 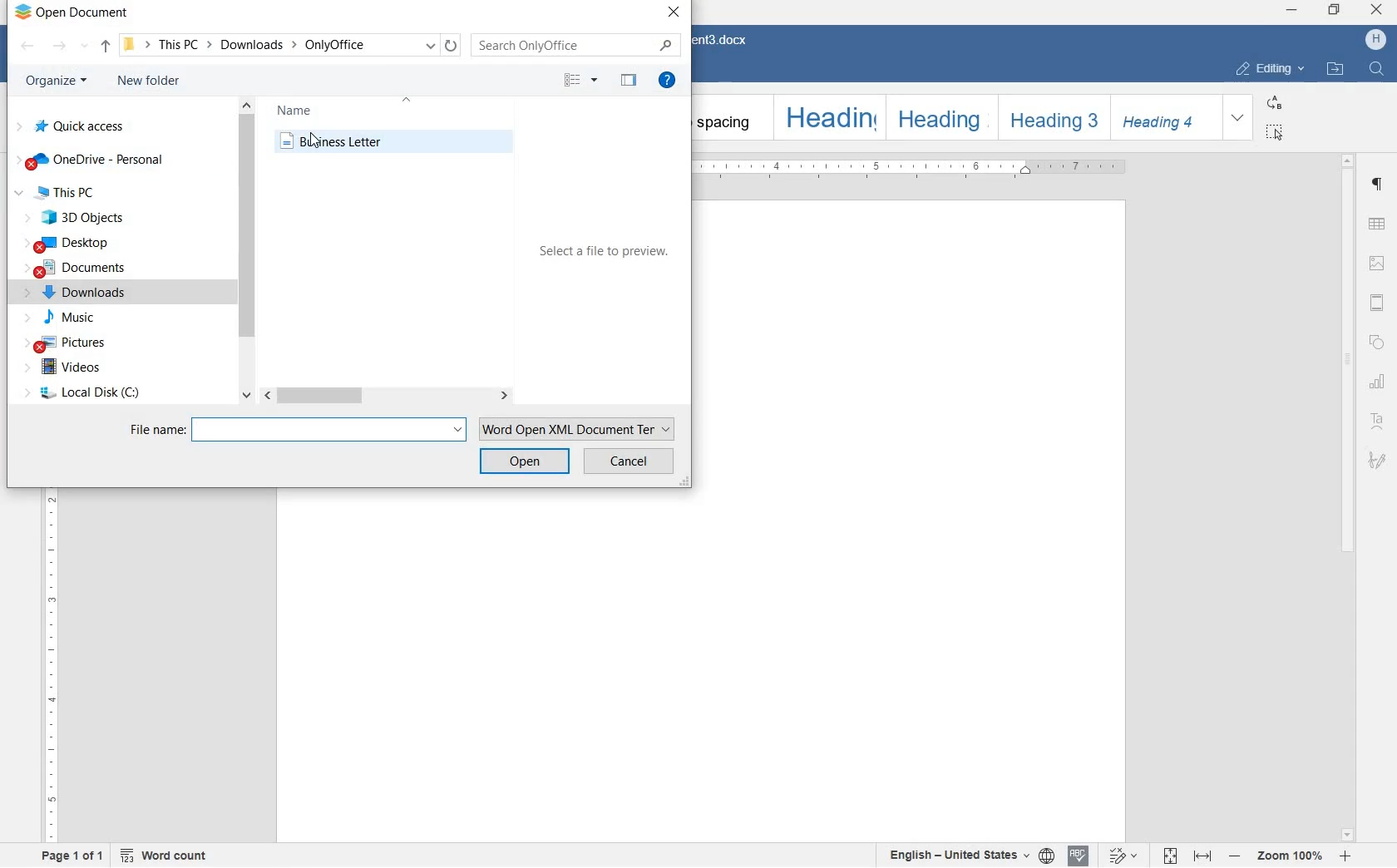 I want to click on file name, so click(x=155, y=429).